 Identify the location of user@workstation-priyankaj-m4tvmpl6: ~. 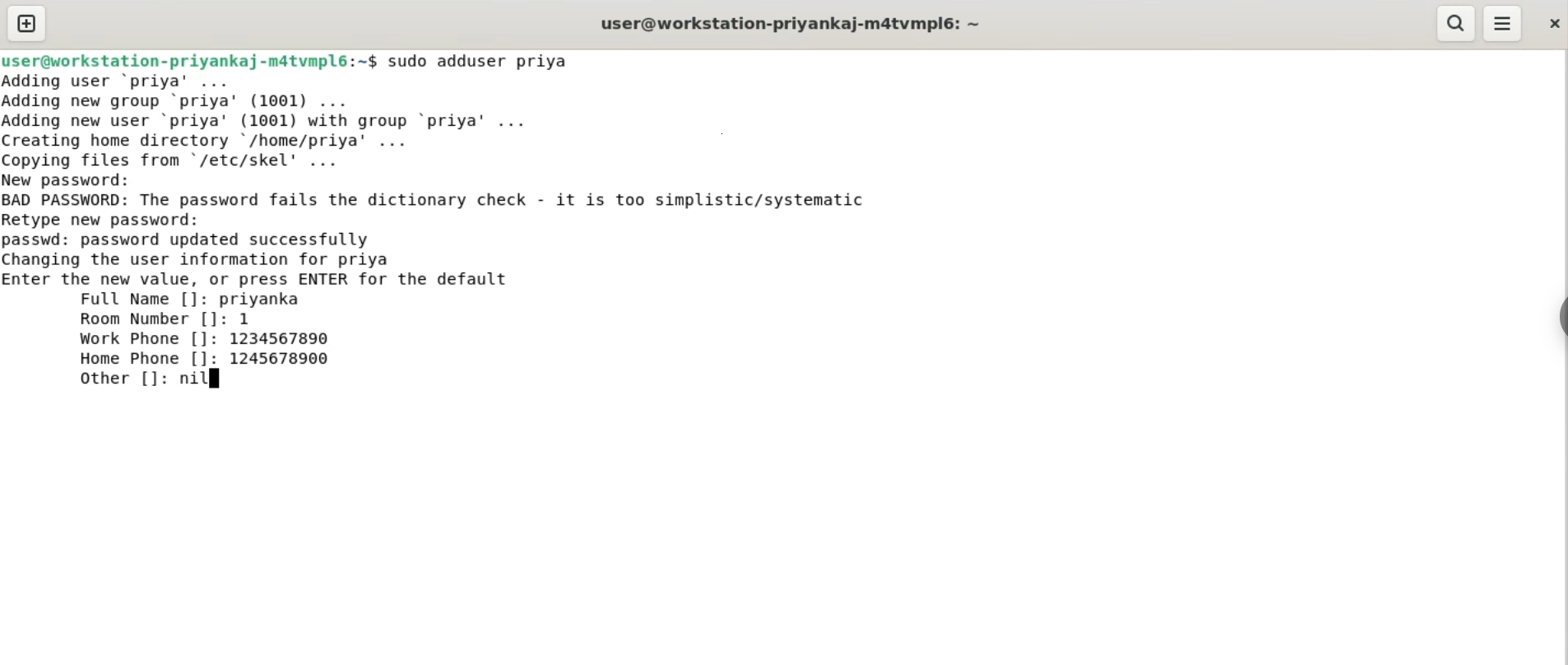
(791, 26).